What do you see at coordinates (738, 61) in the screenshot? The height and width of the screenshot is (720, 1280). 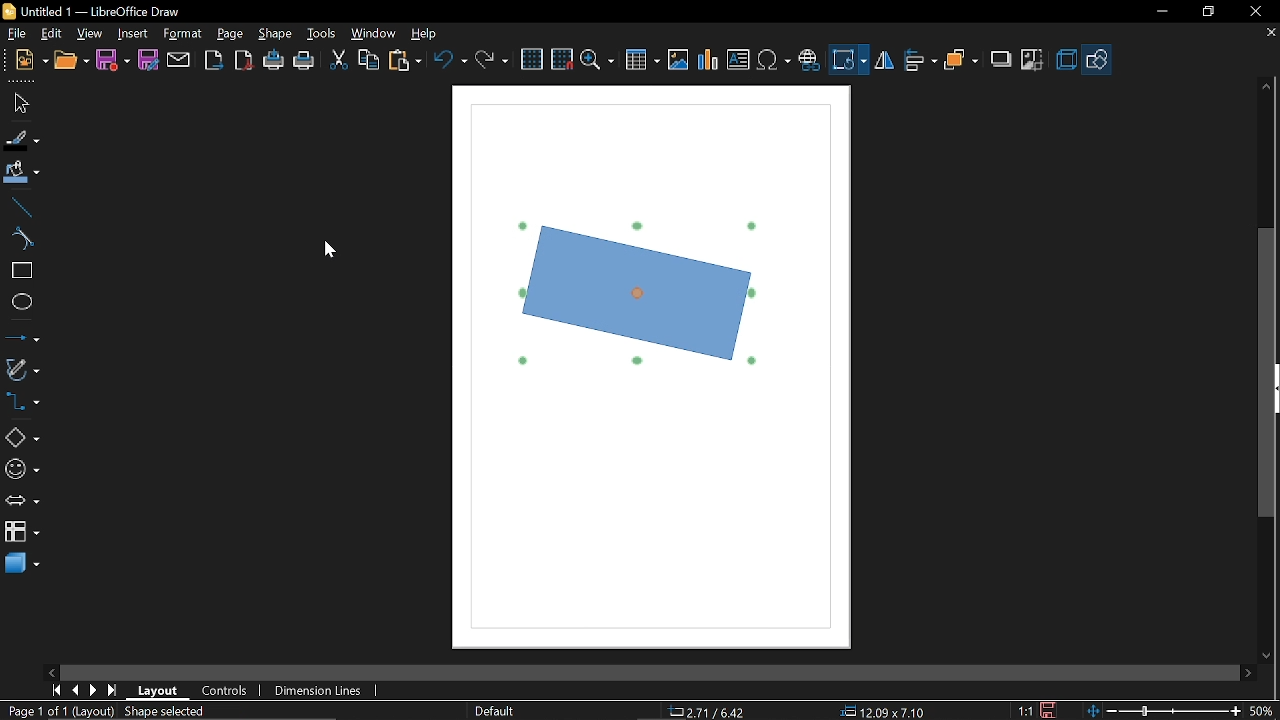 I see `insert text` at bounding box center [738, 61].